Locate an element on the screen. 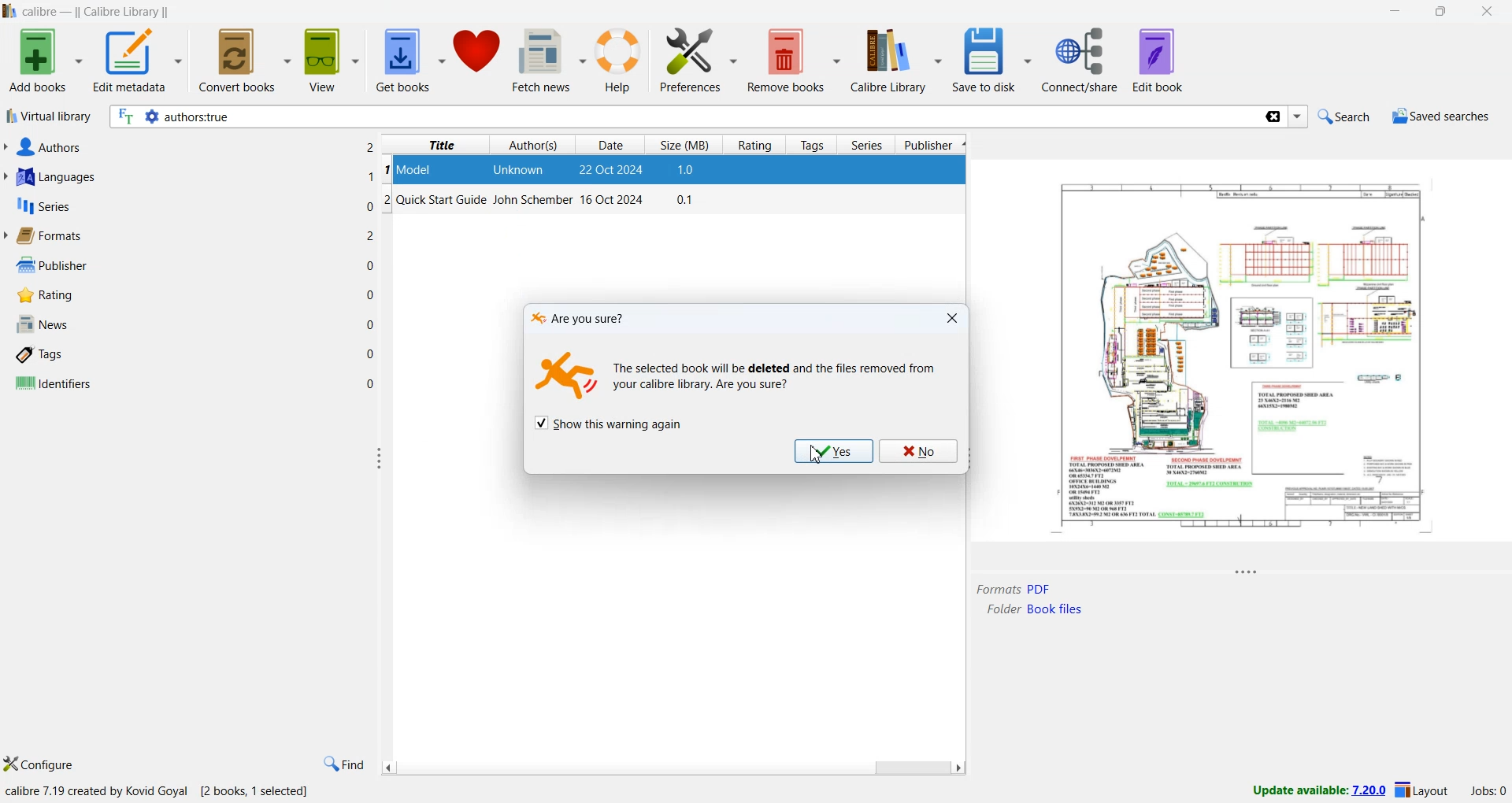 This screenshot has width=1512, height=803. customize width is located at coordinates (380, 458).